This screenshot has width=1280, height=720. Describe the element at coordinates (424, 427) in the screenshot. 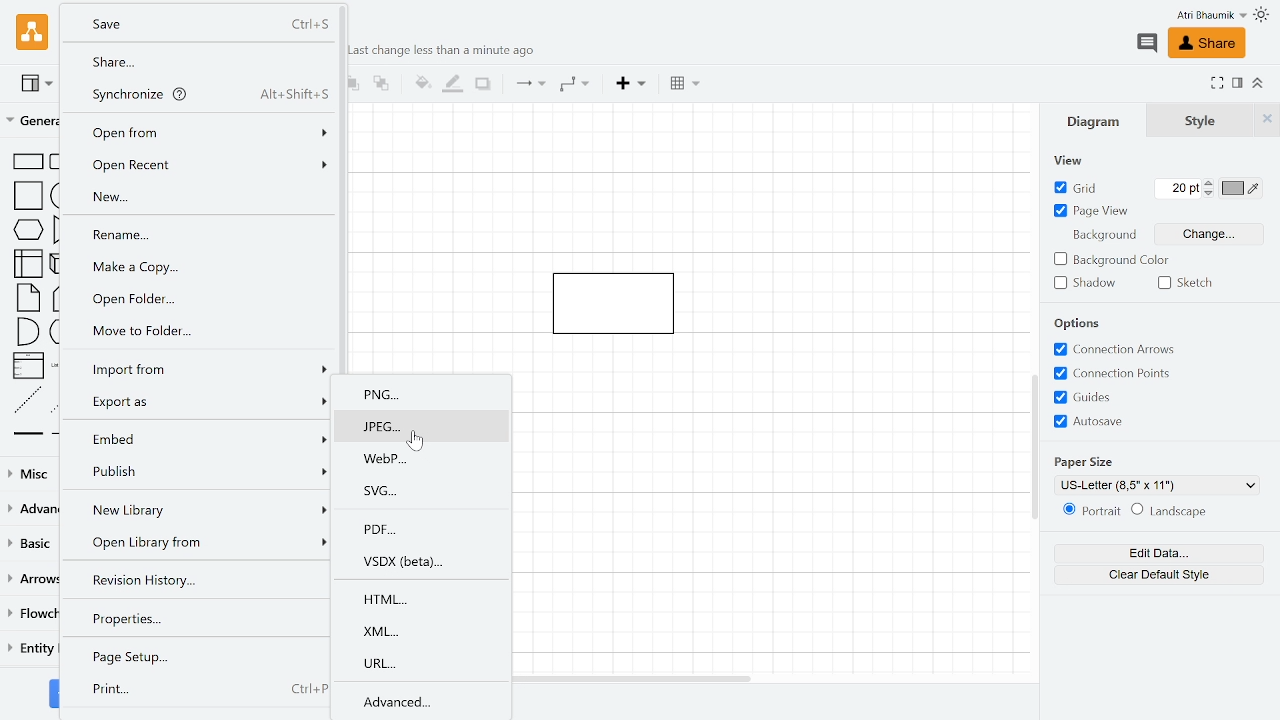

I see `JPEG` at that location.